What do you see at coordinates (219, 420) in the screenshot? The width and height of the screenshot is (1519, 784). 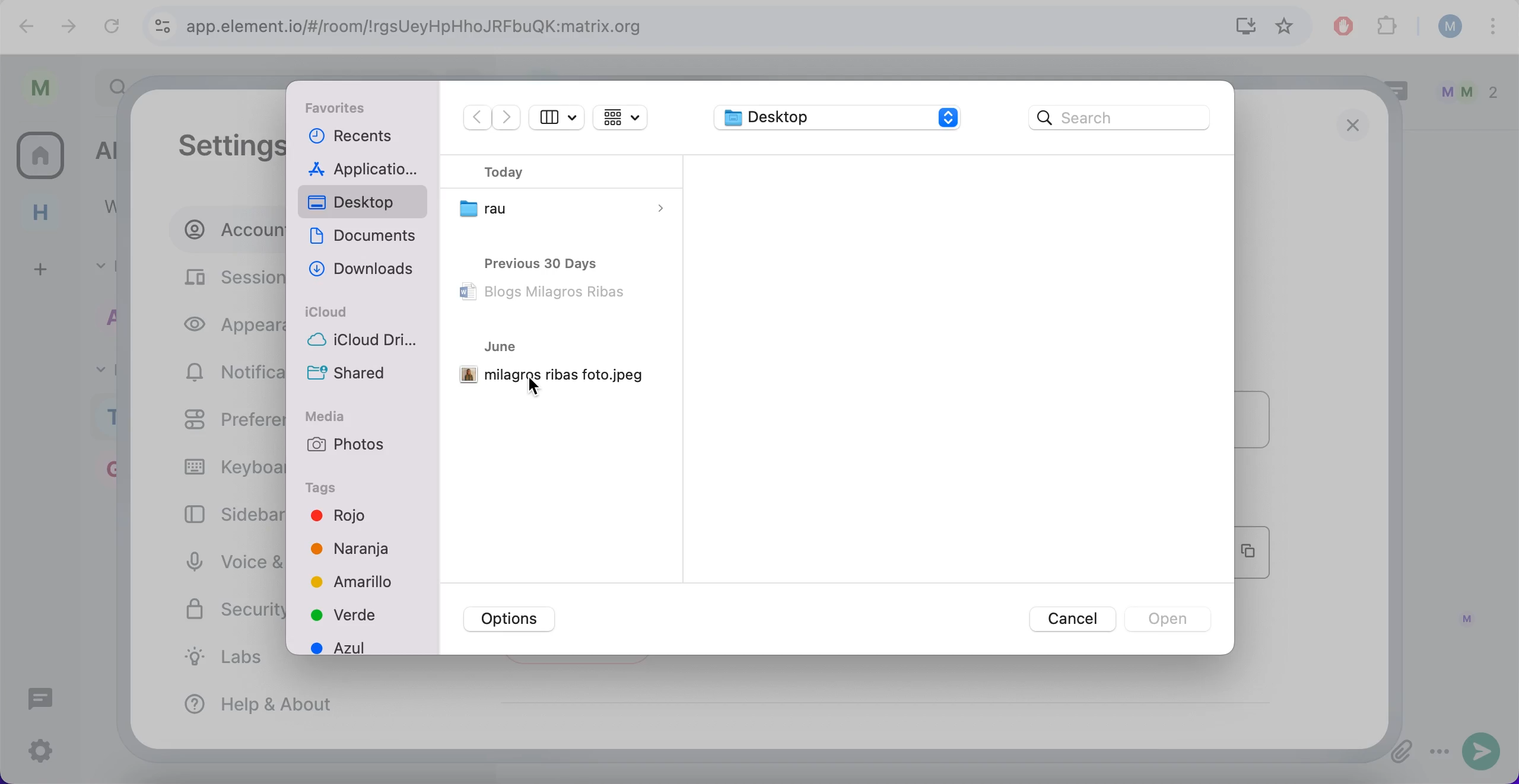 I see `preferences` at bounding box center [219, 420].